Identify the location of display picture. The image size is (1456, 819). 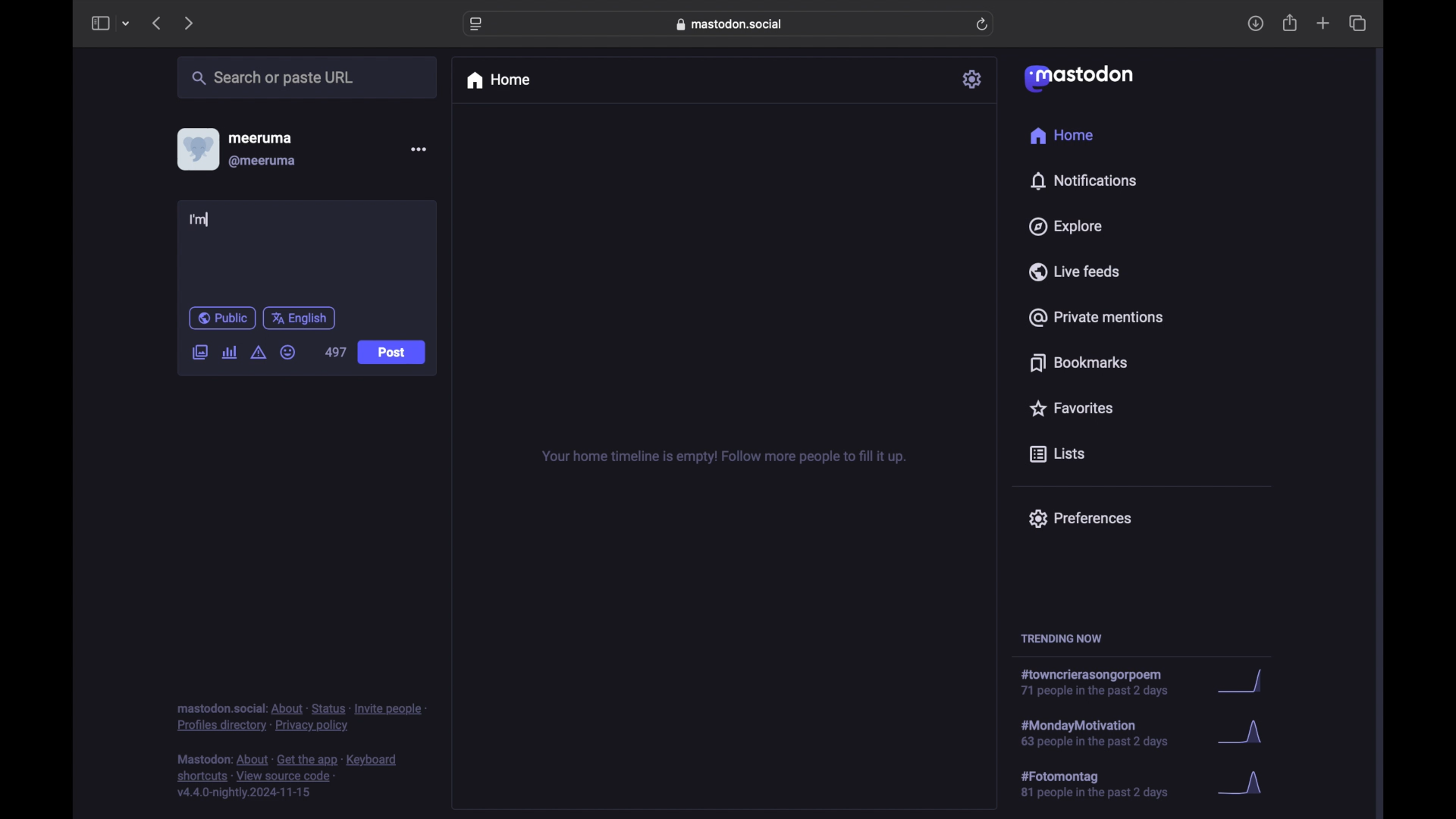
(196, 149).